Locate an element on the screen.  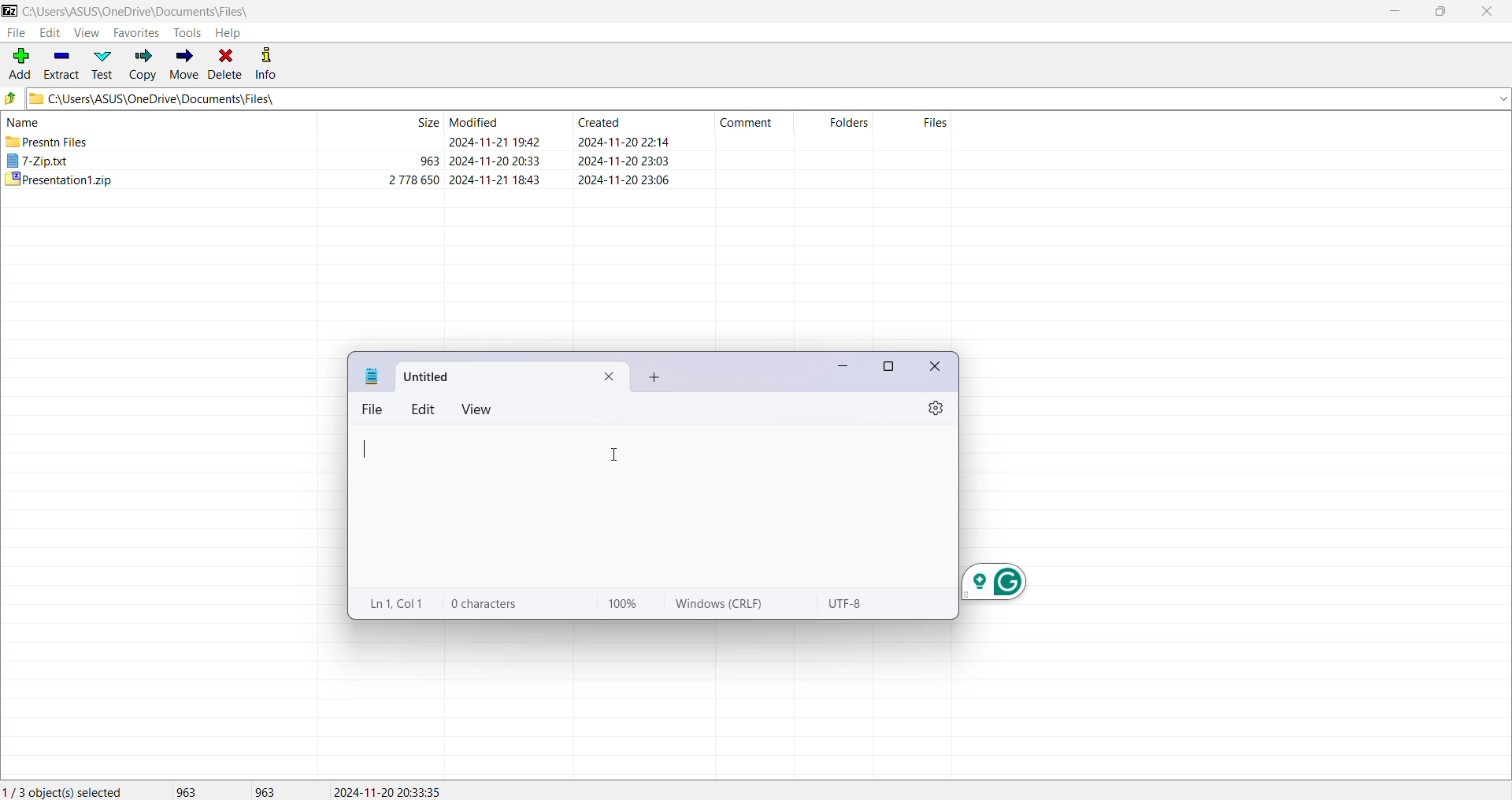
Delete is located at coordinates (227, 64).